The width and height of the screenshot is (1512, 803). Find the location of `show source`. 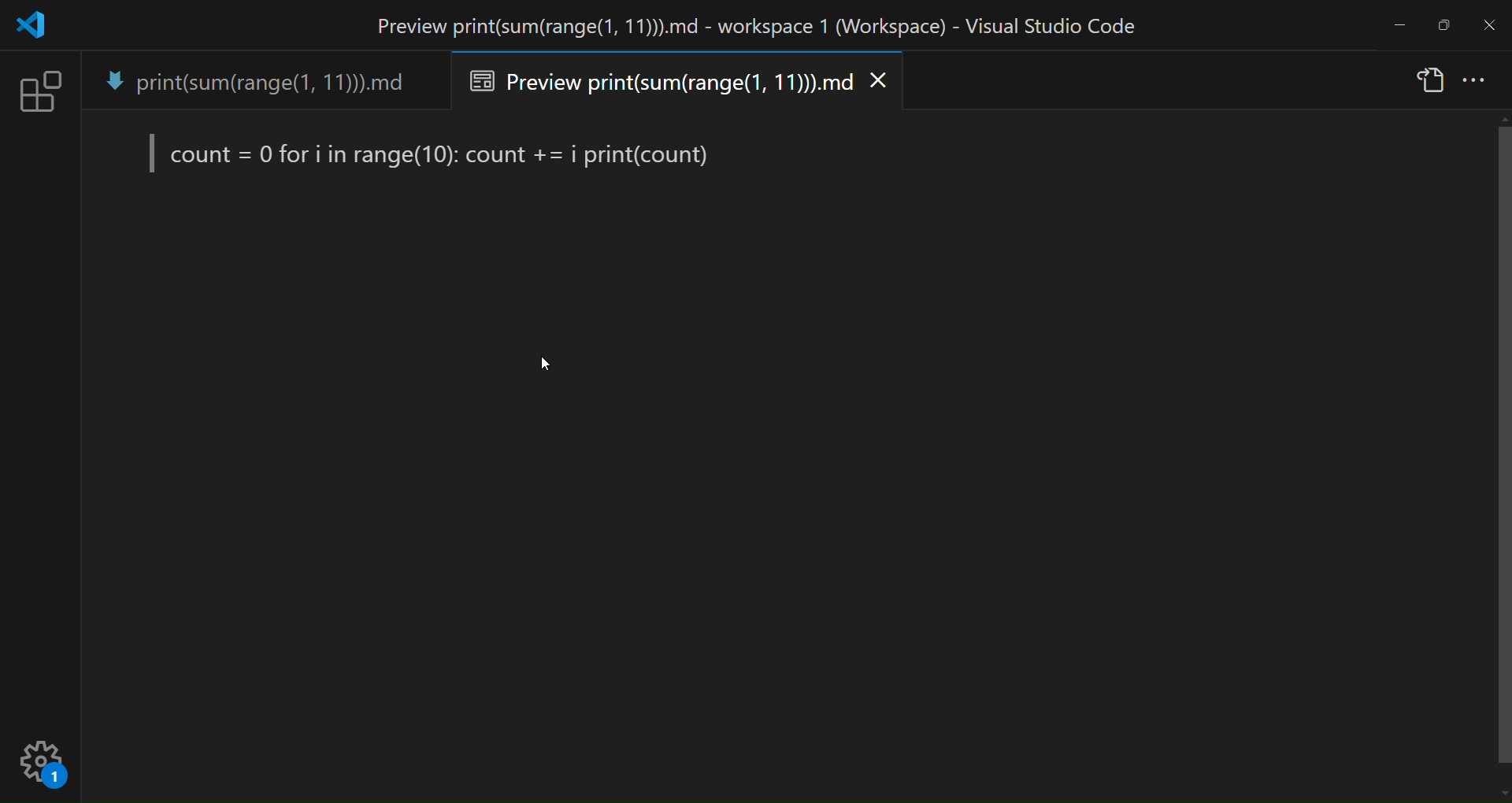

show source is located at coordinates (1429, 80).